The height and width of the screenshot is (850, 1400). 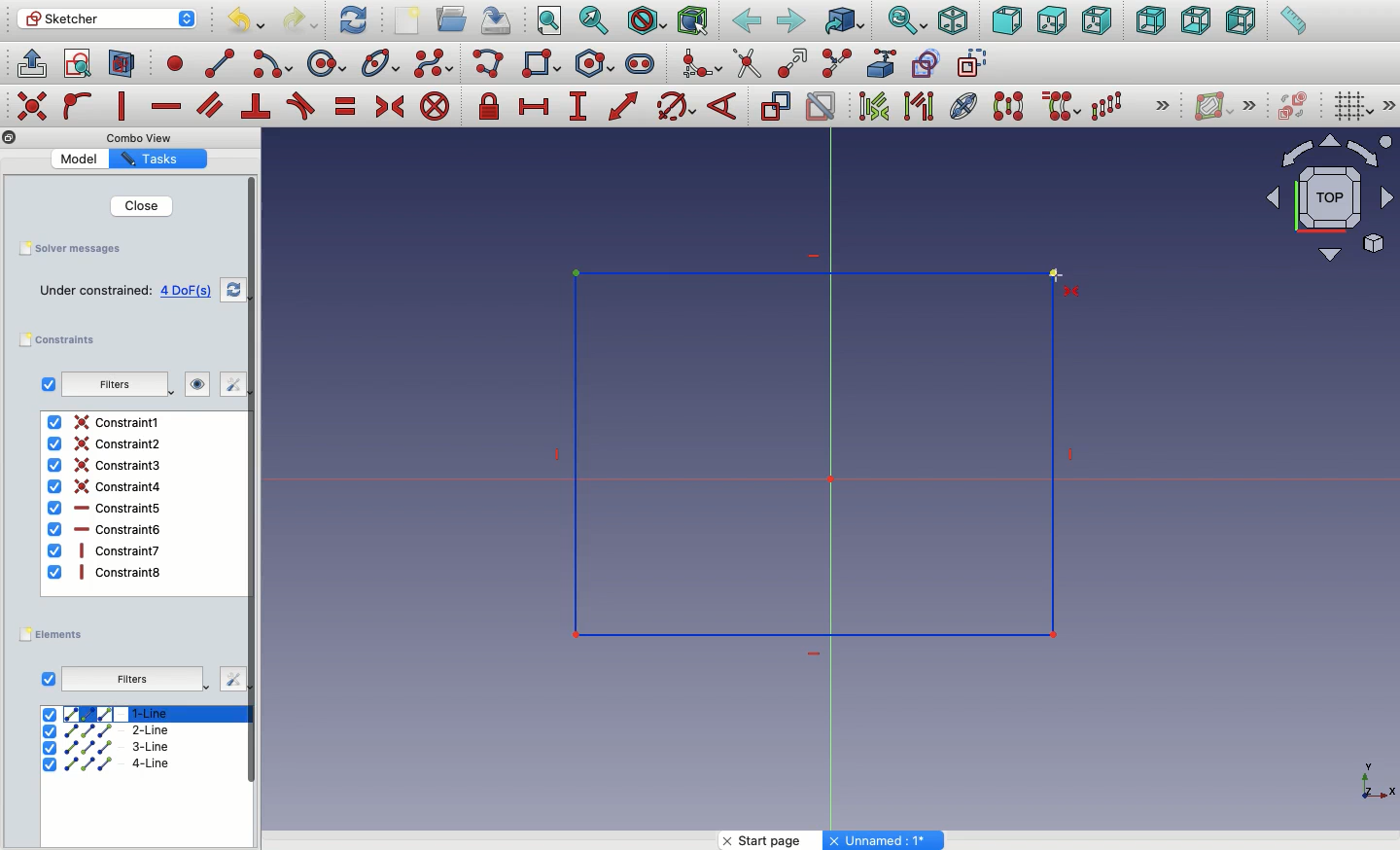 I want to click on checkbox, so click(x=48, y=384).